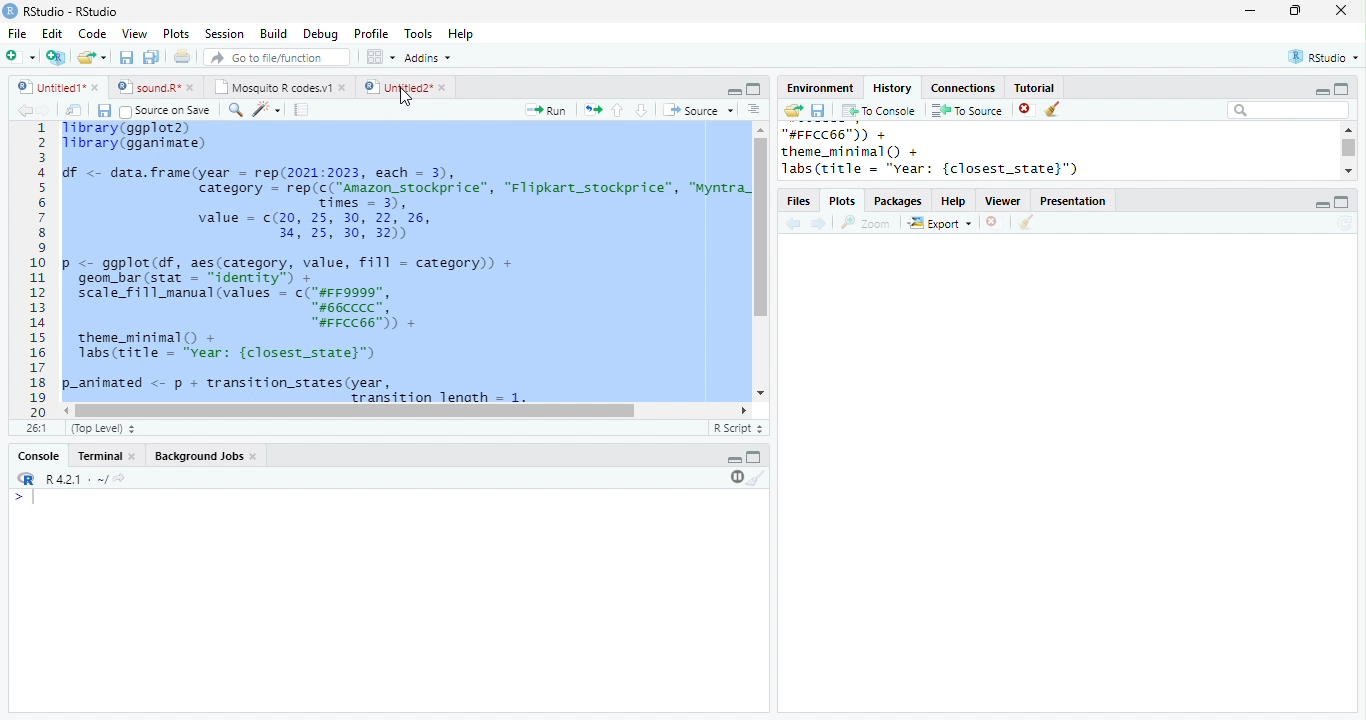  Describe the element at coordinates (92, 58) in the screenshot. I see `open file` at that location.